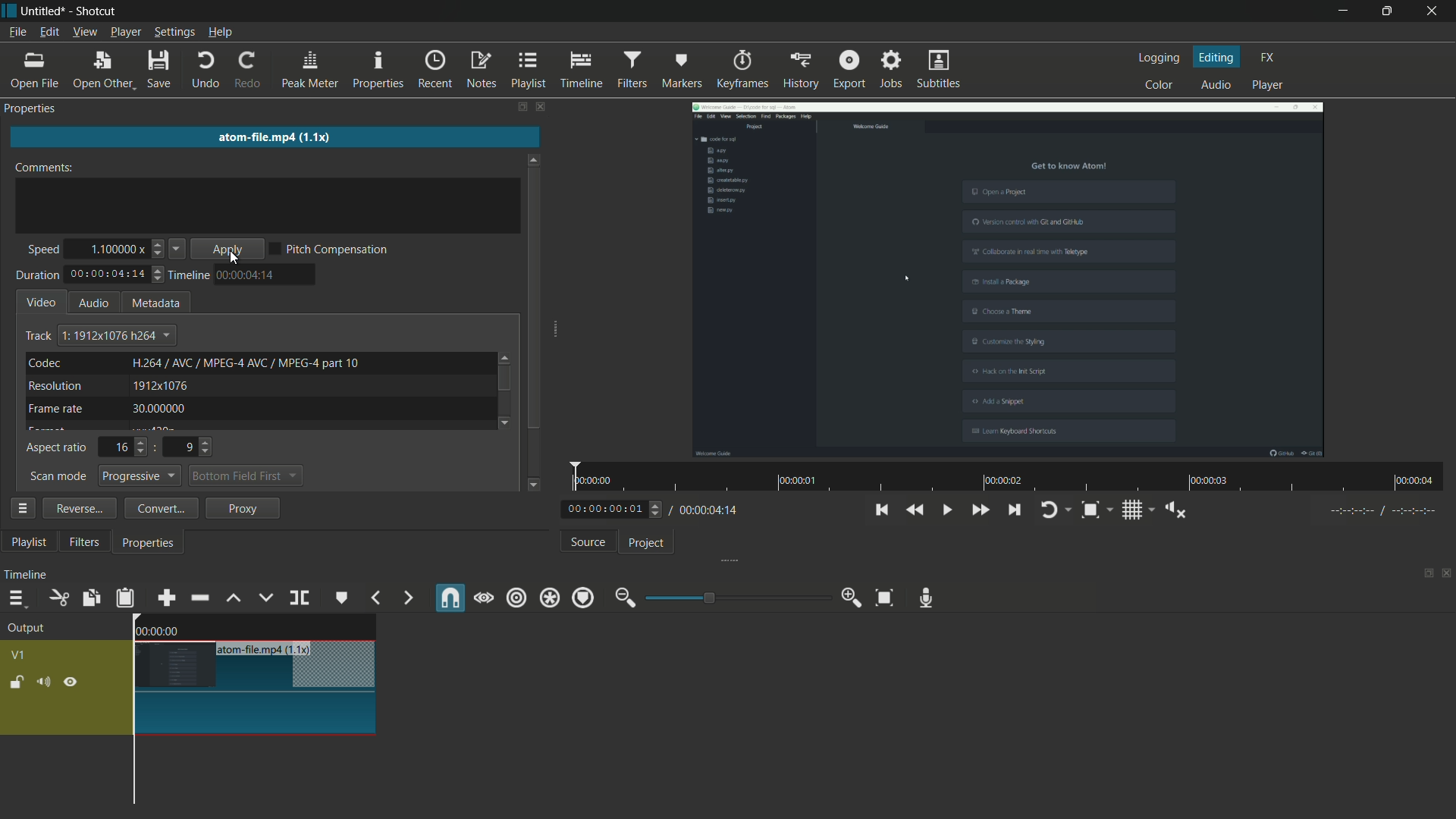 The image size is (1456, 819). I want to click on imported file name, so click(265, 136).